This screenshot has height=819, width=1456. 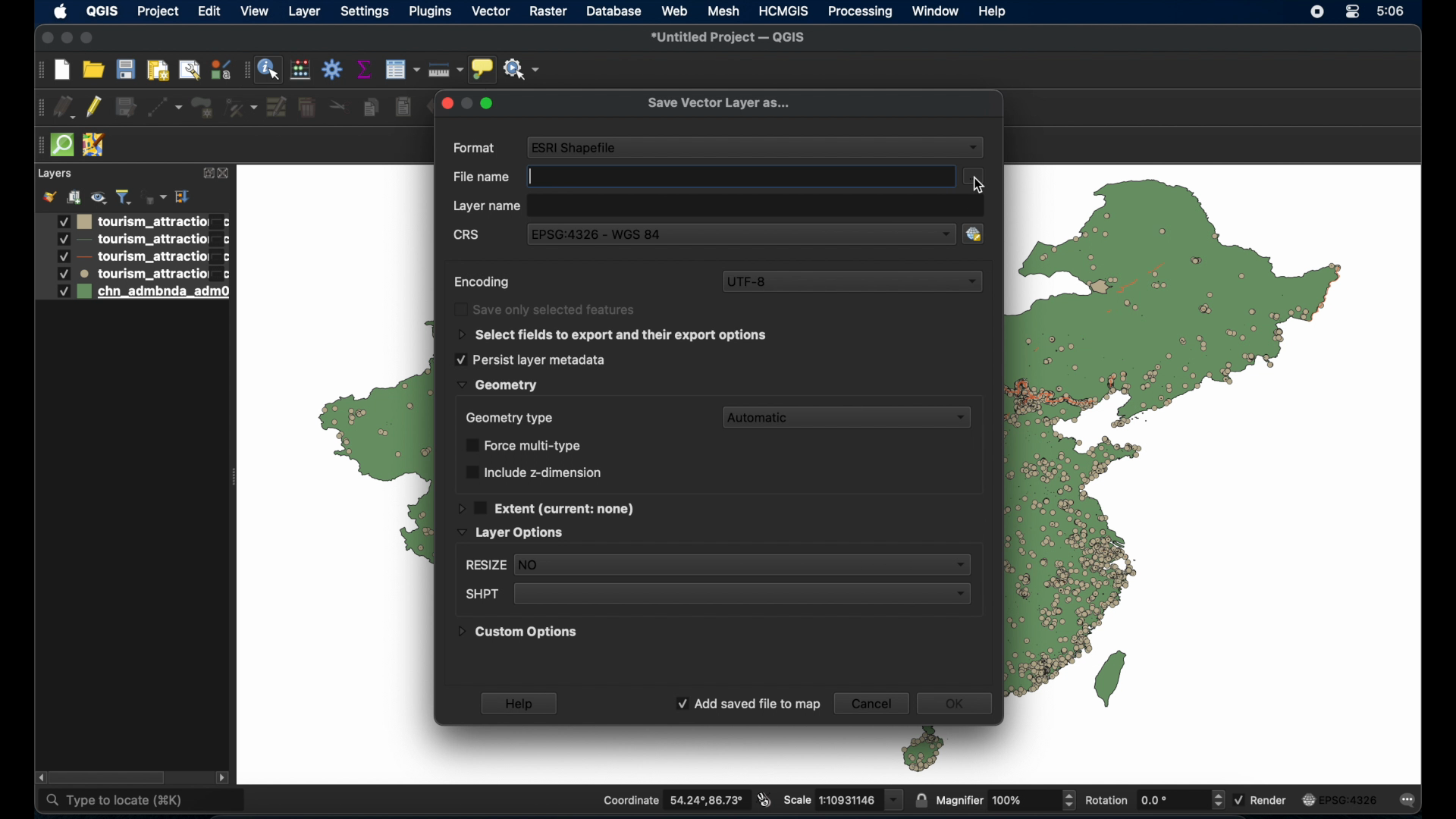 What do you see at coordinates (306, 108) in the screenshot?
I see `delete selected ` at bounding box center [306, 108].